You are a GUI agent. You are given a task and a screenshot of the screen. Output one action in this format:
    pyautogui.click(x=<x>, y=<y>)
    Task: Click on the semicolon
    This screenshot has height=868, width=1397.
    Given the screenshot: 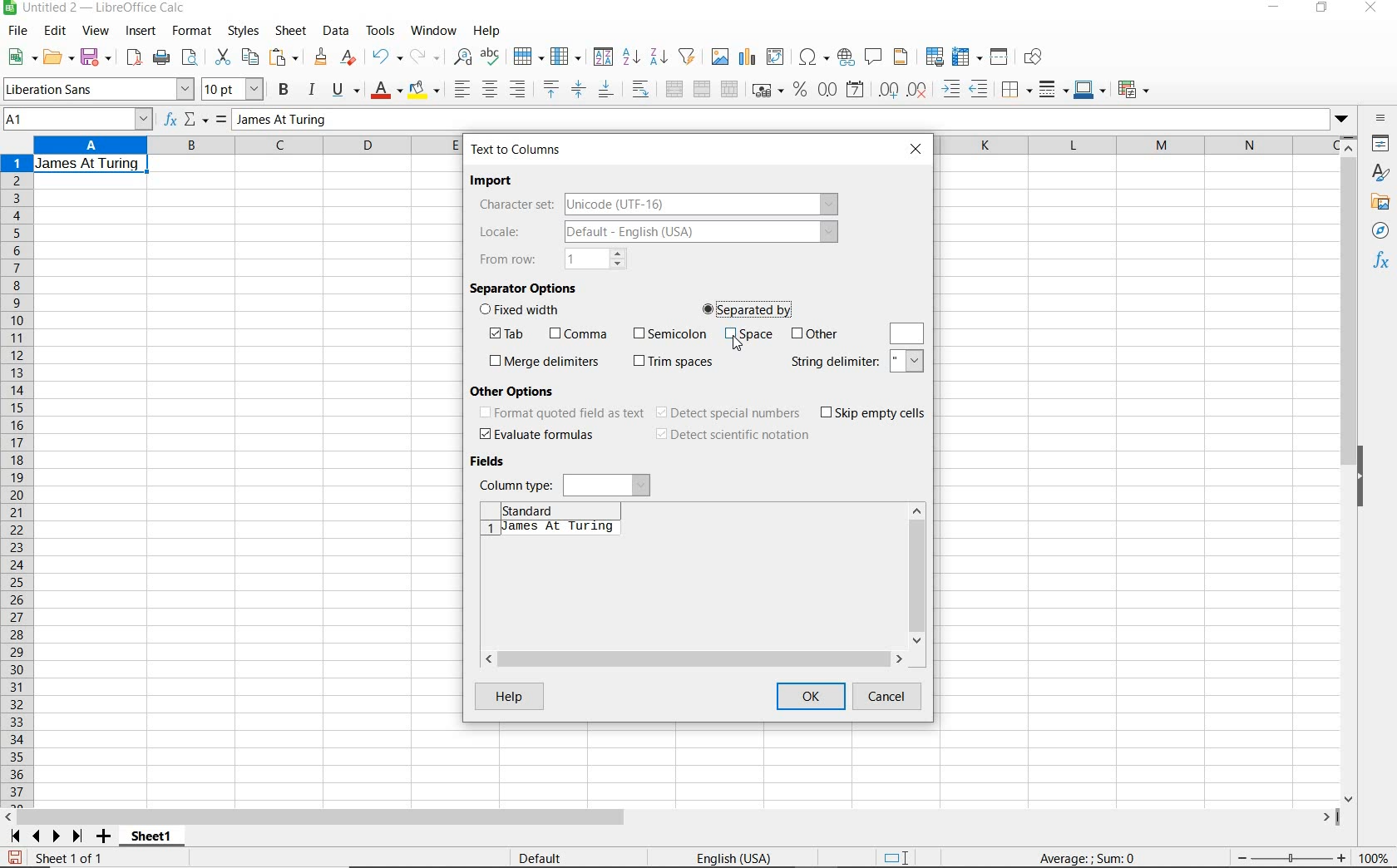 What is the action you would take?
    pyautogui.click(x=668, y=333)
    